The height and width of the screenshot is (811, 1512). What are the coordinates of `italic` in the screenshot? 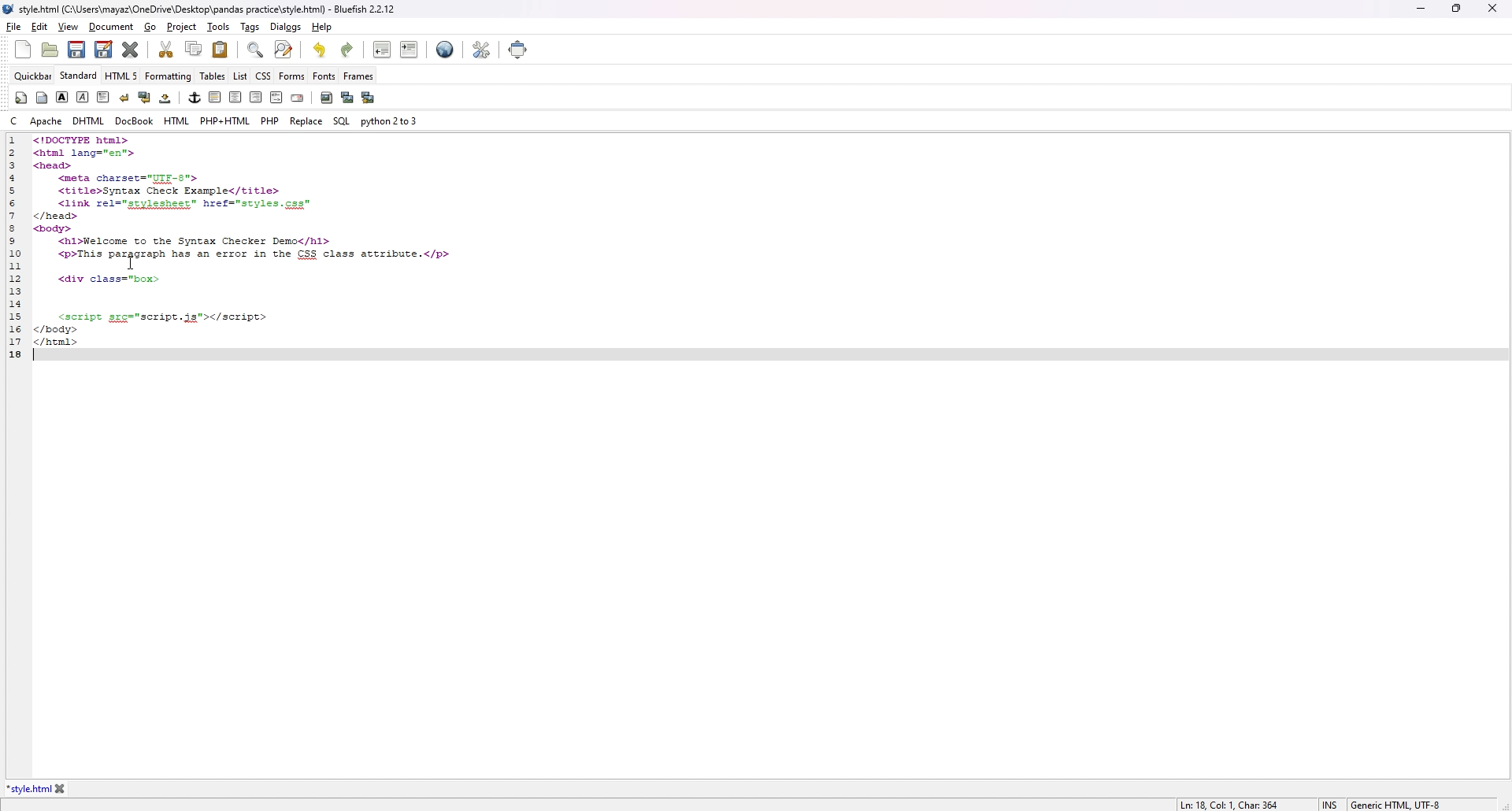 It's located at (83, 98).